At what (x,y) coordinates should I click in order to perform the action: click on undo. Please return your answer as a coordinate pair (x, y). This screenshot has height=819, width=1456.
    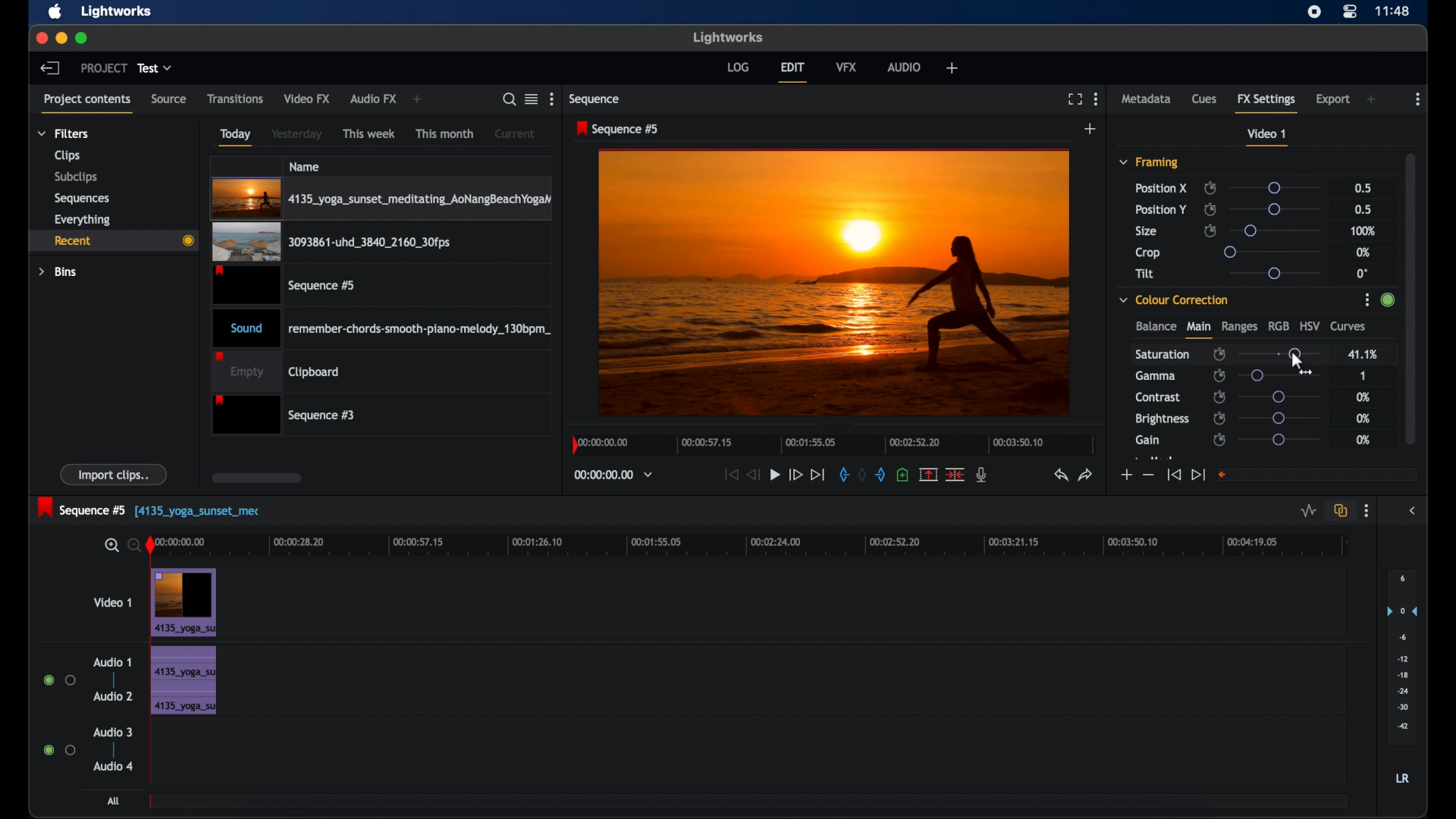
    Looking at the image, I should click on (1061, 475).